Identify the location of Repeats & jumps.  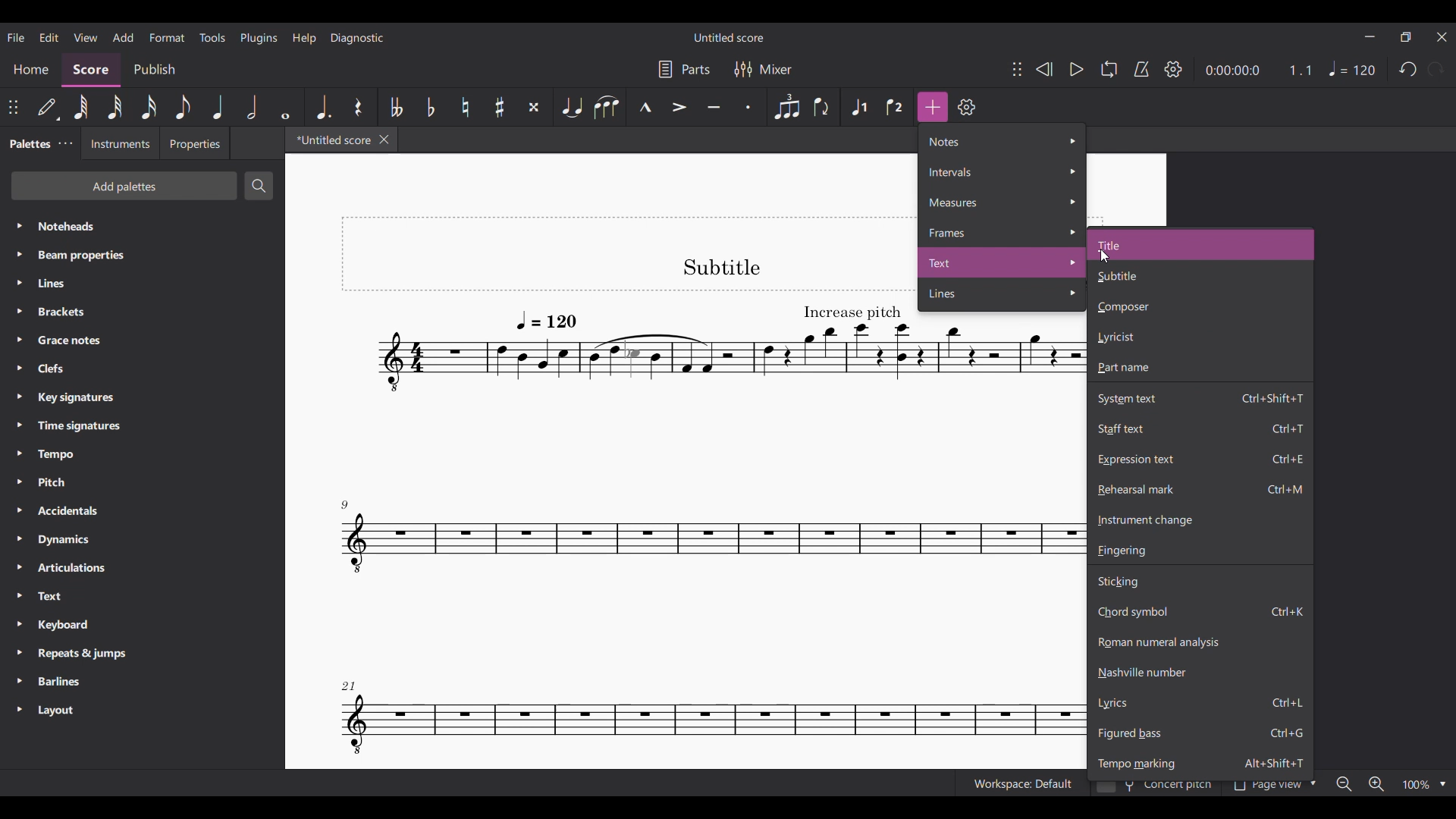
(143, 654).